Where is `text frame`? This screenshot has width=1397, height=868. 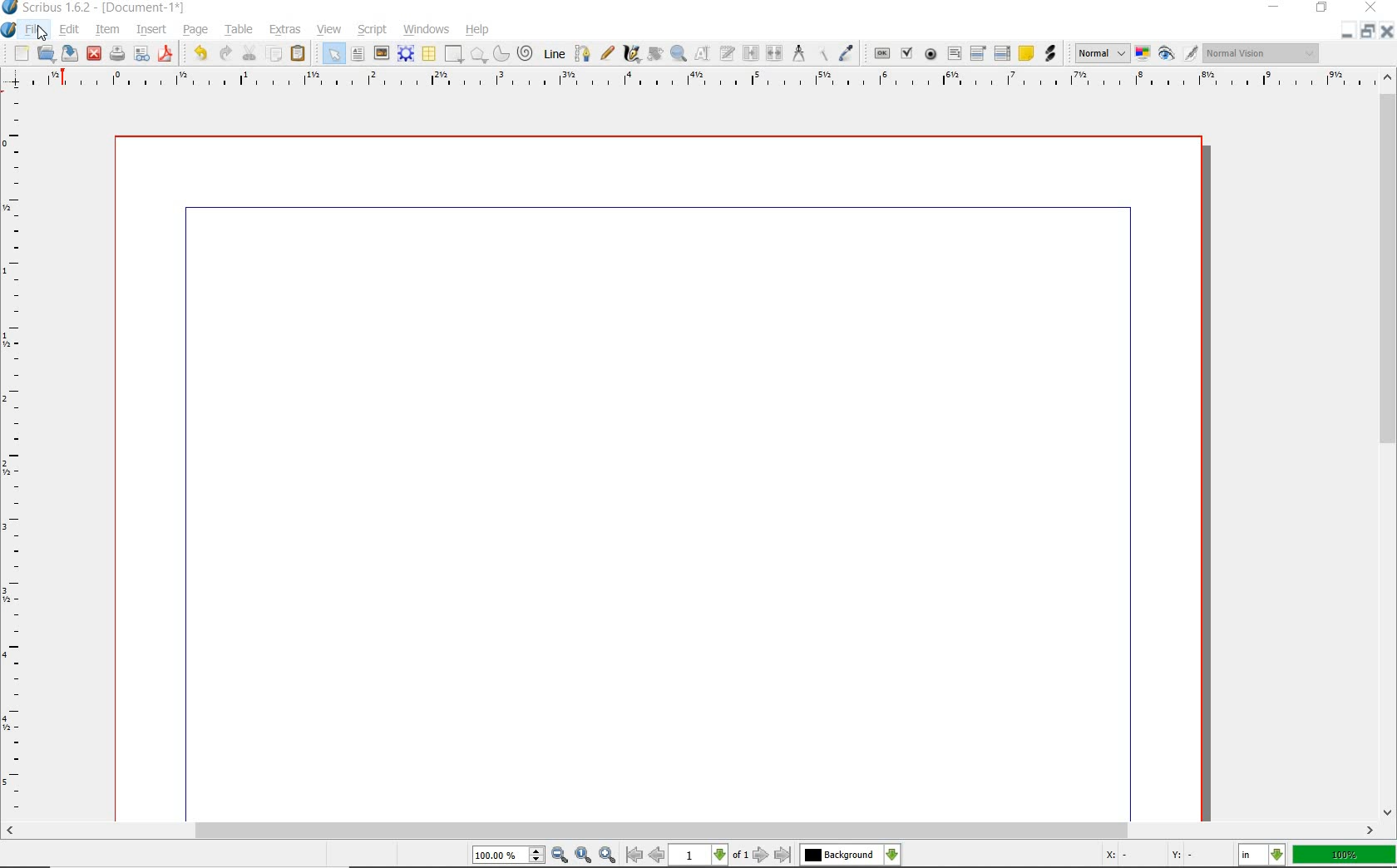 text frame is located at coordinates (358, 54).